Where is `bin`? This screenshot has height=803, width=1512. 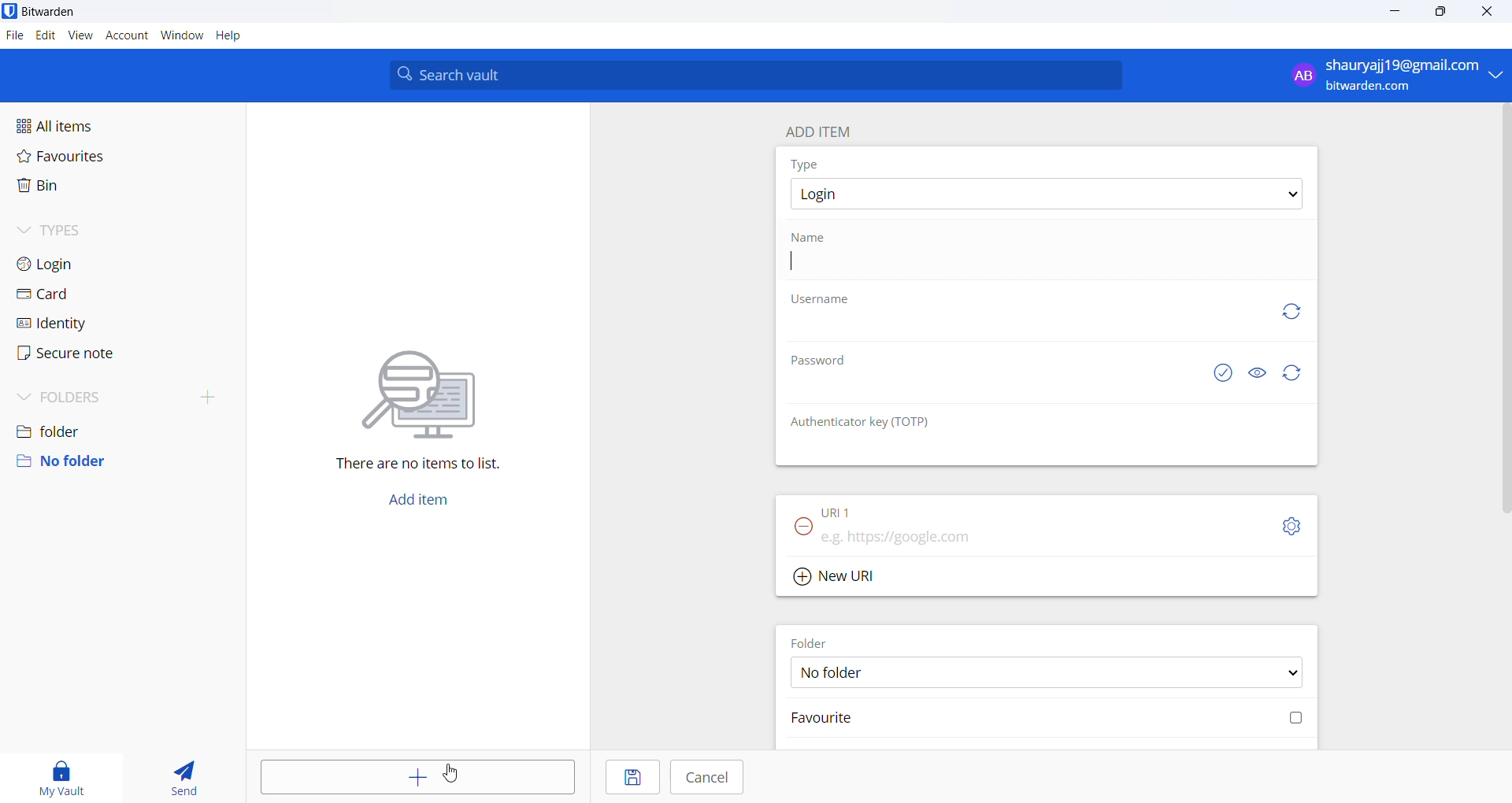 bin is located at coordinates (82, 191).